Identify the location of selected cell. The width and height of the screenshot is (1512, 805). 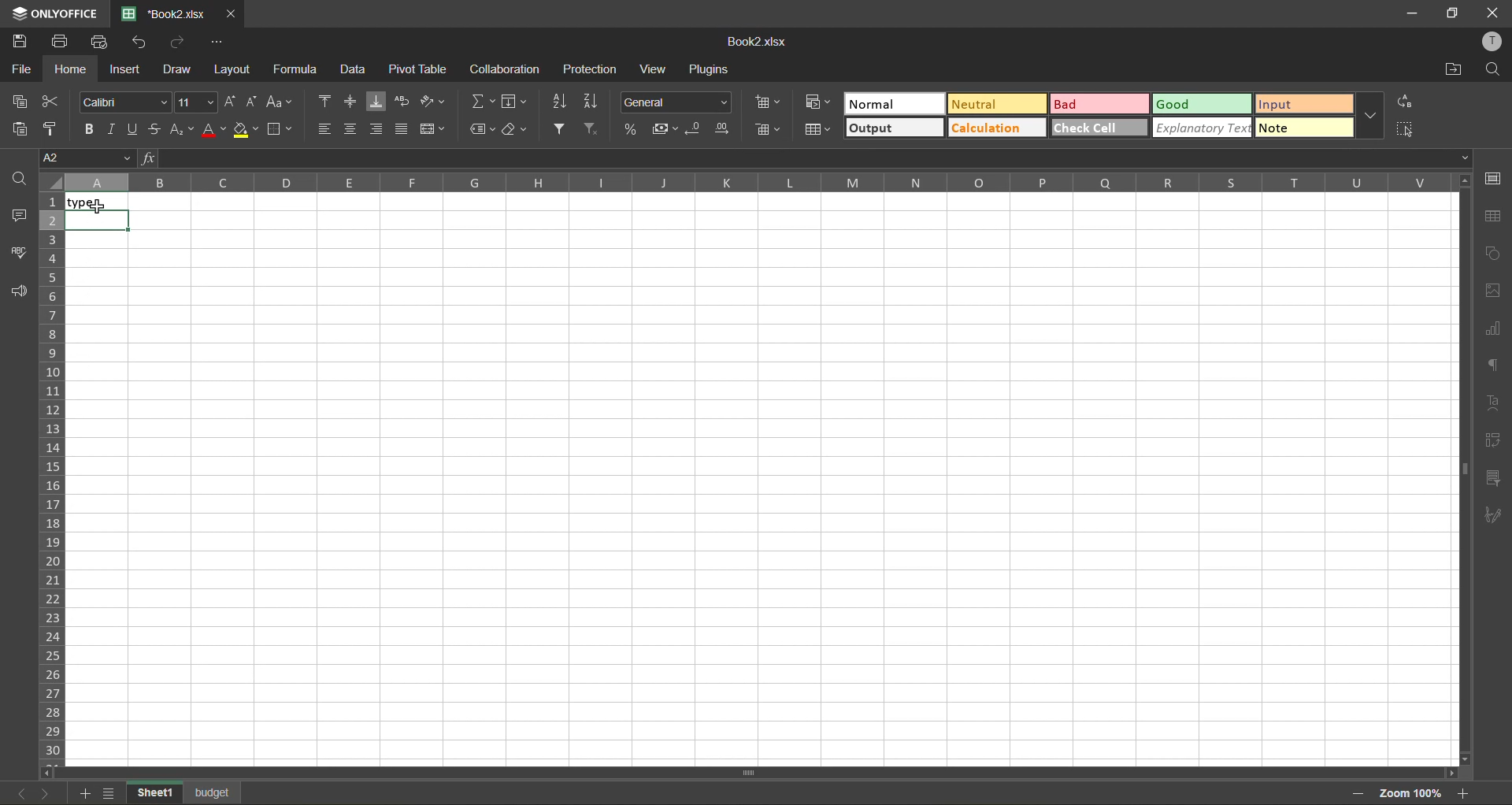
(97, 221).